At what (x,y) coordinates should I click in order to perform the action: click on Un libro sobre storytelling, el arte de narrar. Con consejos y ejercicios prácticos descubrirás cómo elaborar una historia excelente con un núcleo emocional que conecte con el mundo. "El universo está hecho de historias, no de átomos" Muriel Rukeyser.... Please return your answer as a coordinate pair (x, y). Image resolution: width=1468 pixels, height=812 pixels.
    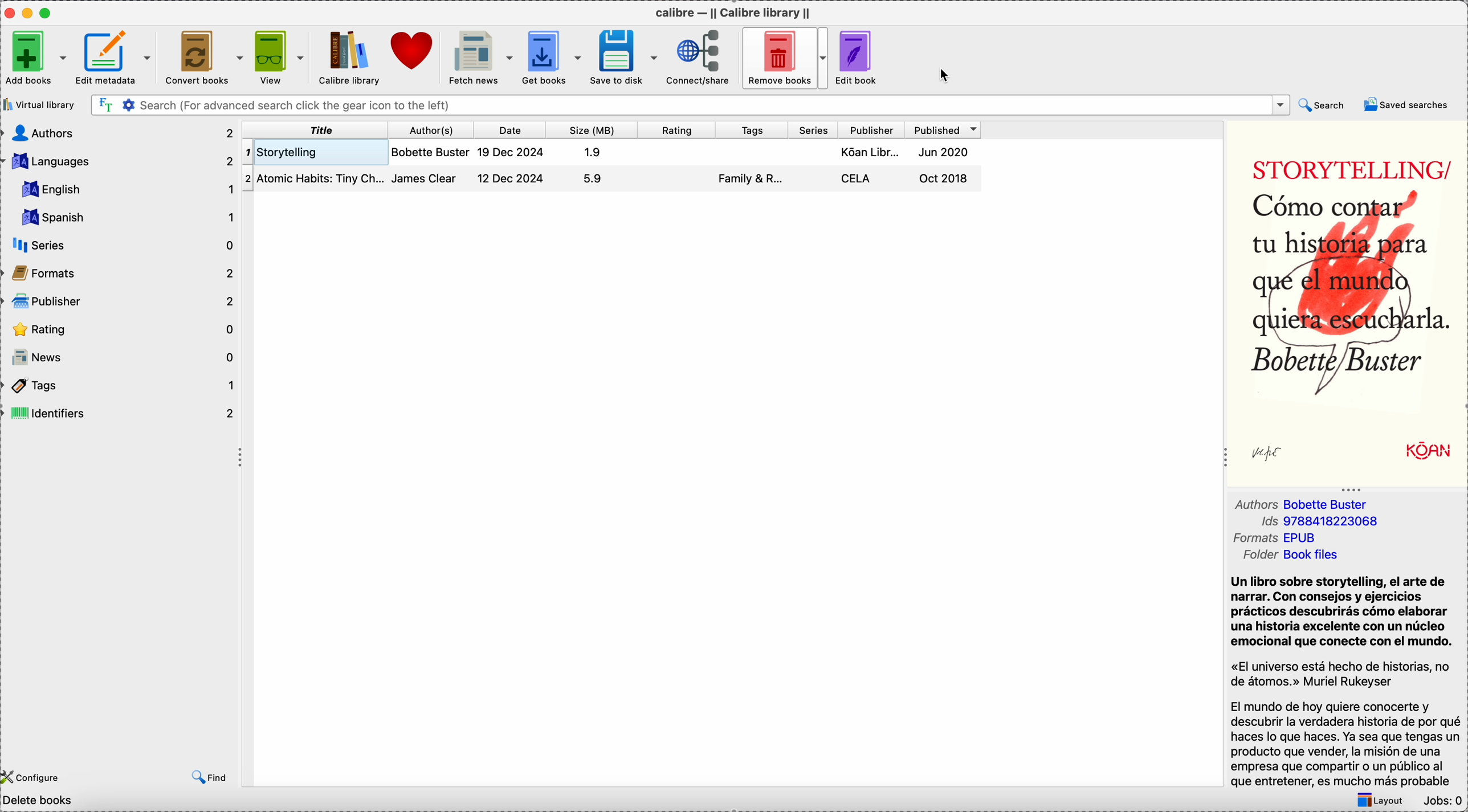
    Looking at the image, I should click on (1347, 681).